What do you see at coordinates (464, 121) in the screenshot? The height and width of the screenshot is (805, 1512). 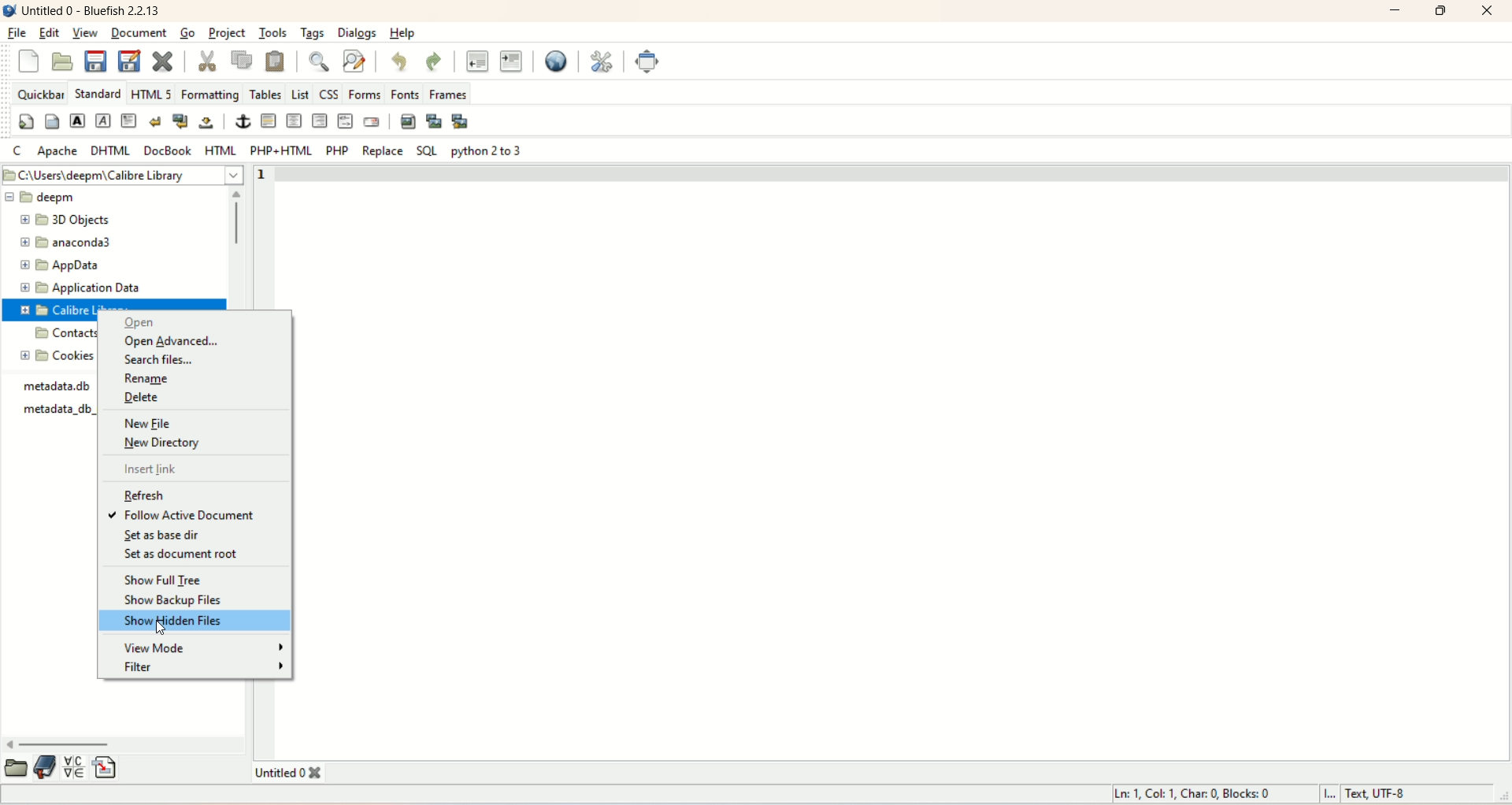 I see `multi-thumbnail` at bounding box center [464, 121].